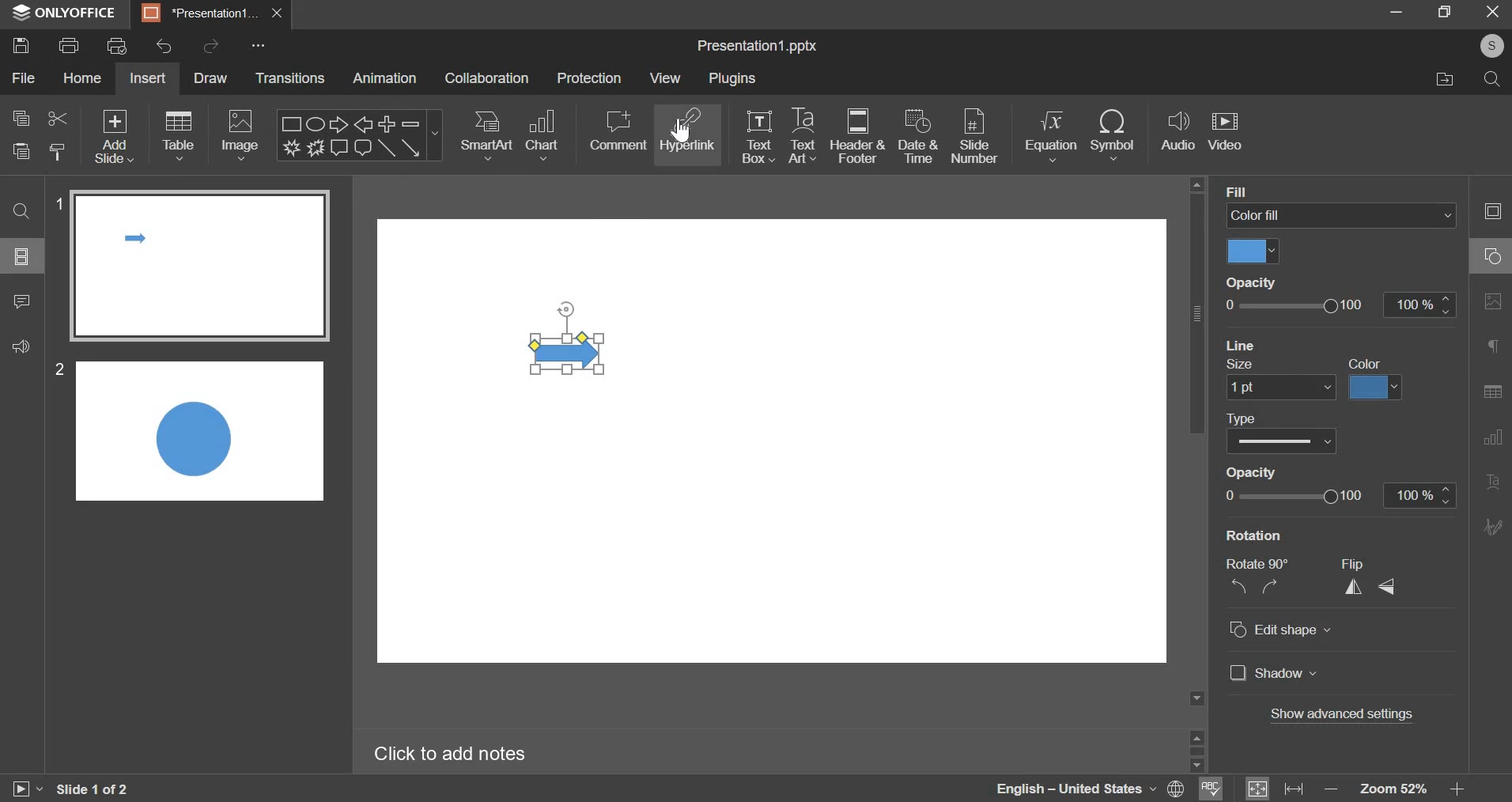  I want to click on set size, so click(1281, 388).